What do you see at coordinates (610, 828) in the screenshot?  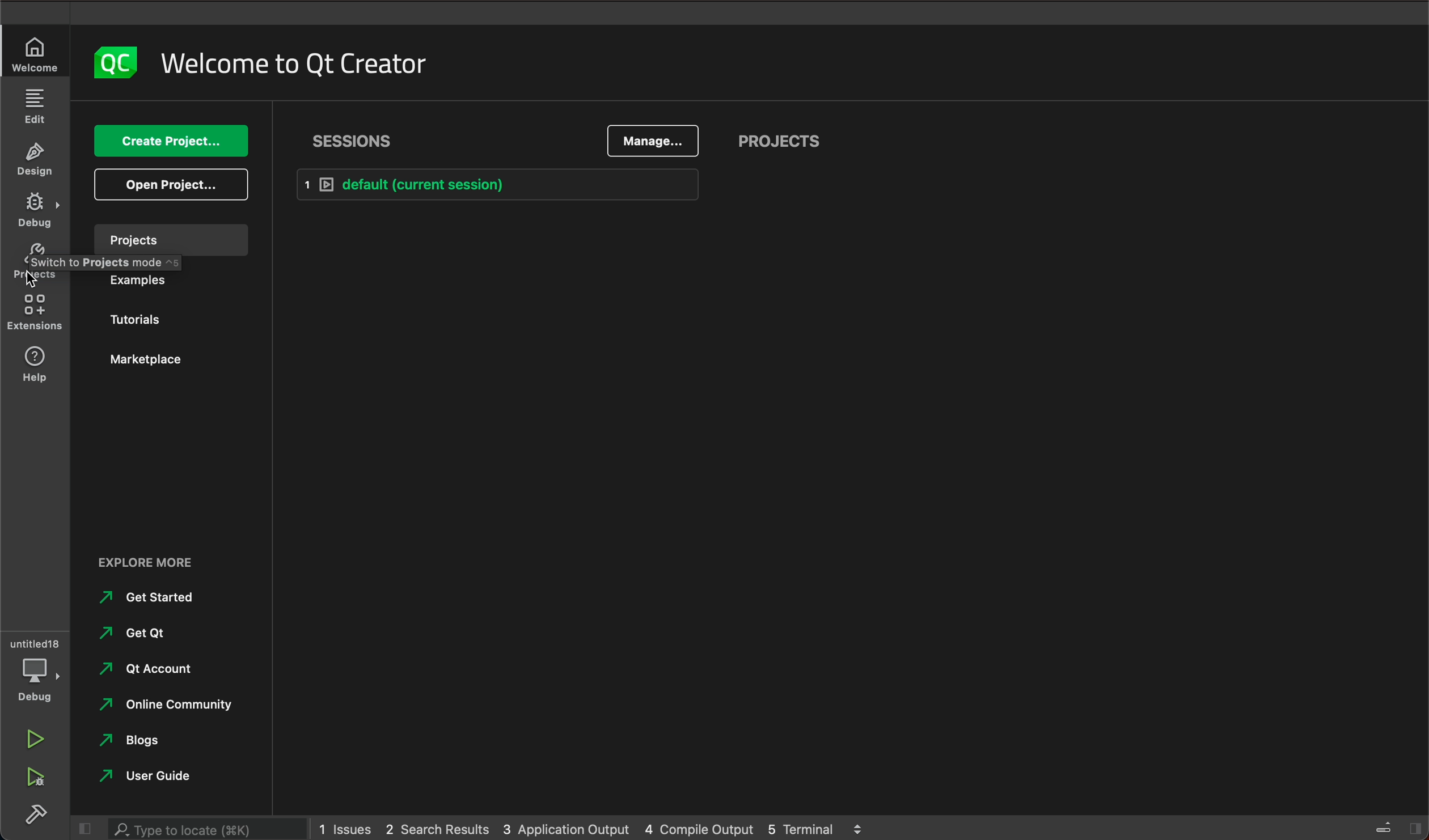 I see `logs` at bounding box center [610, 828].